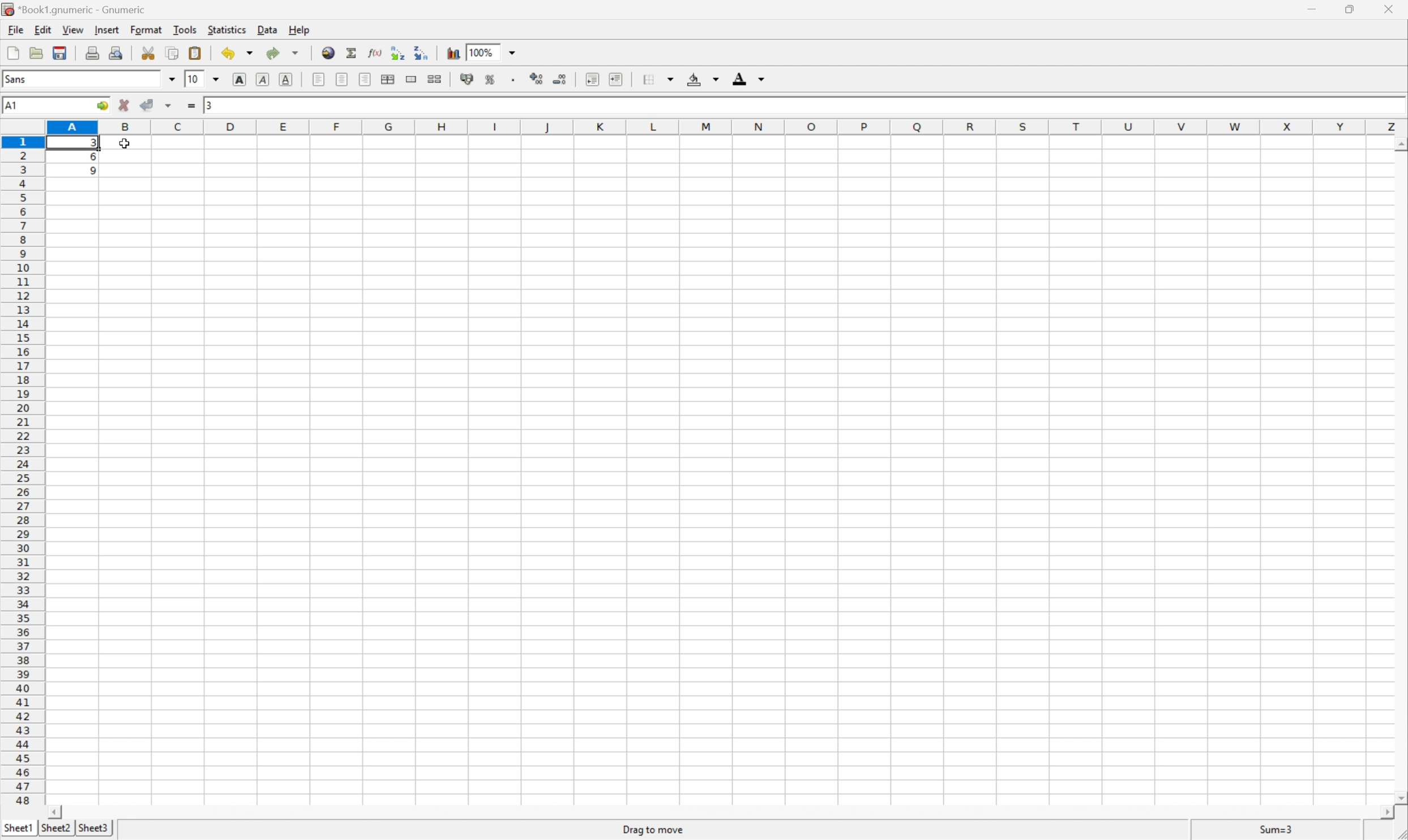 The image size is (1408, 840). I want to click on Column names, so click(722, 127).